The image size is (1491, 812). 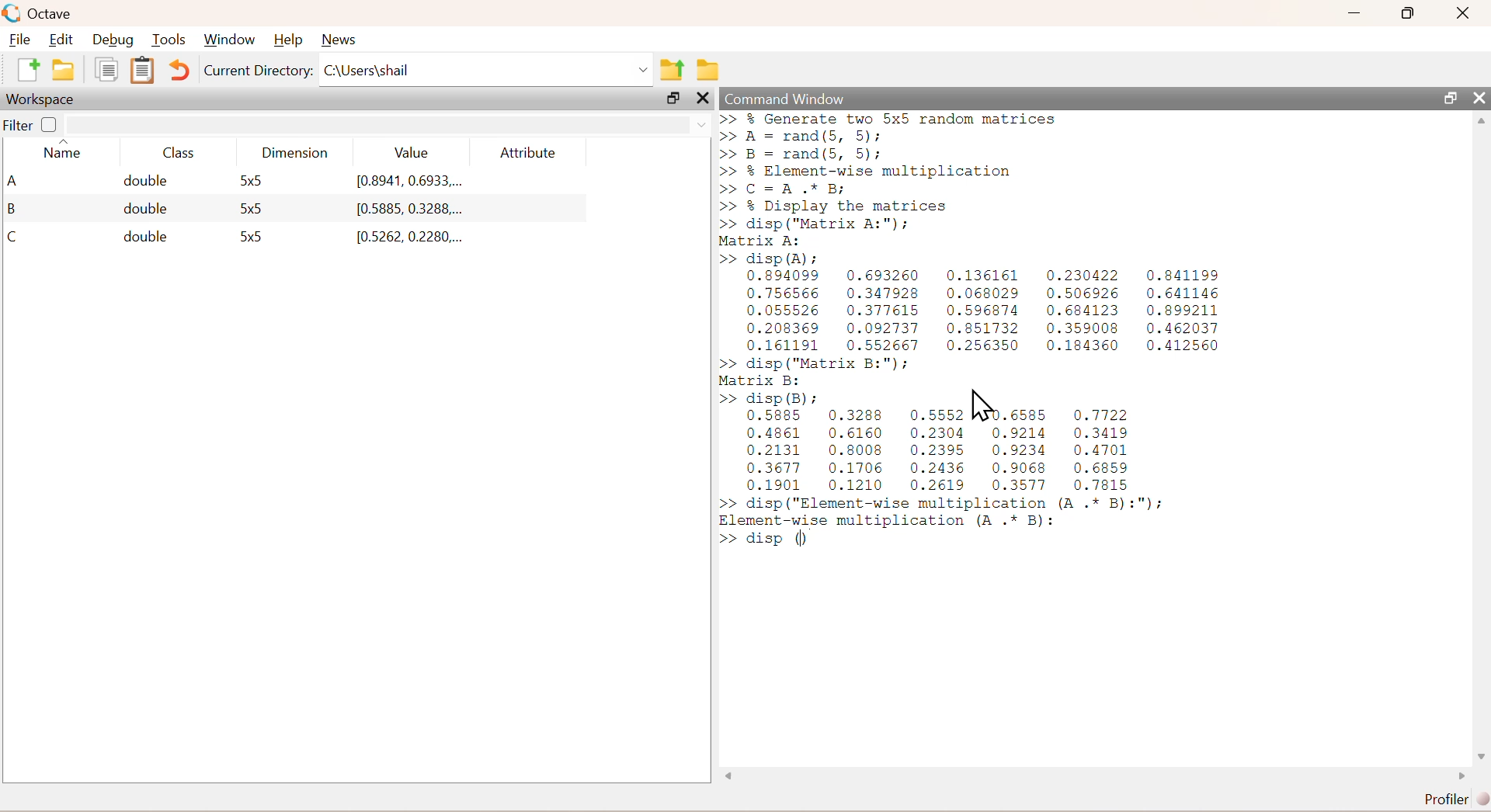 I want to click on Workspace, so click(x=42, y=101).